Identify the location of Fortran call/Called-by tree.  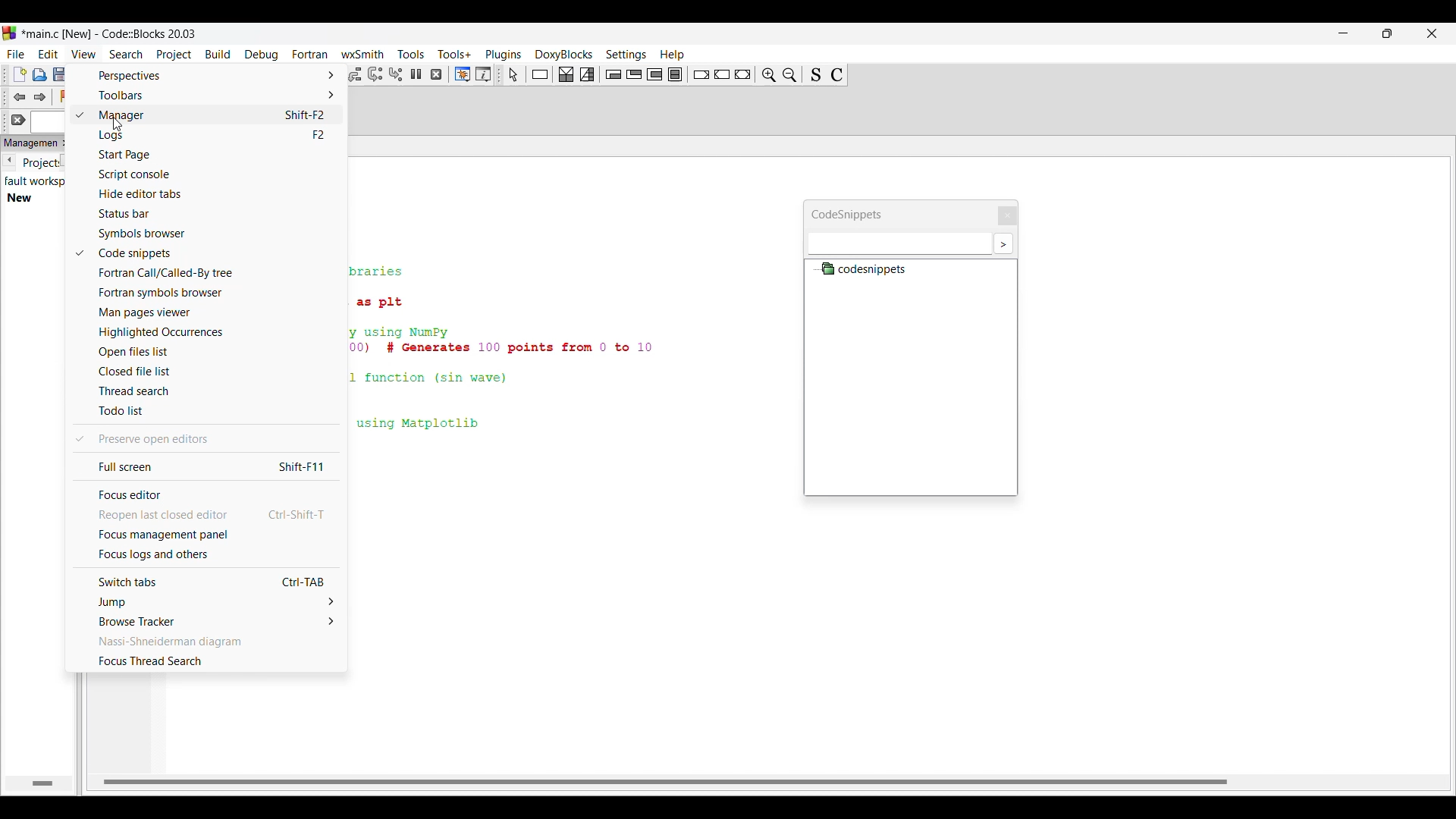
(215, 273).